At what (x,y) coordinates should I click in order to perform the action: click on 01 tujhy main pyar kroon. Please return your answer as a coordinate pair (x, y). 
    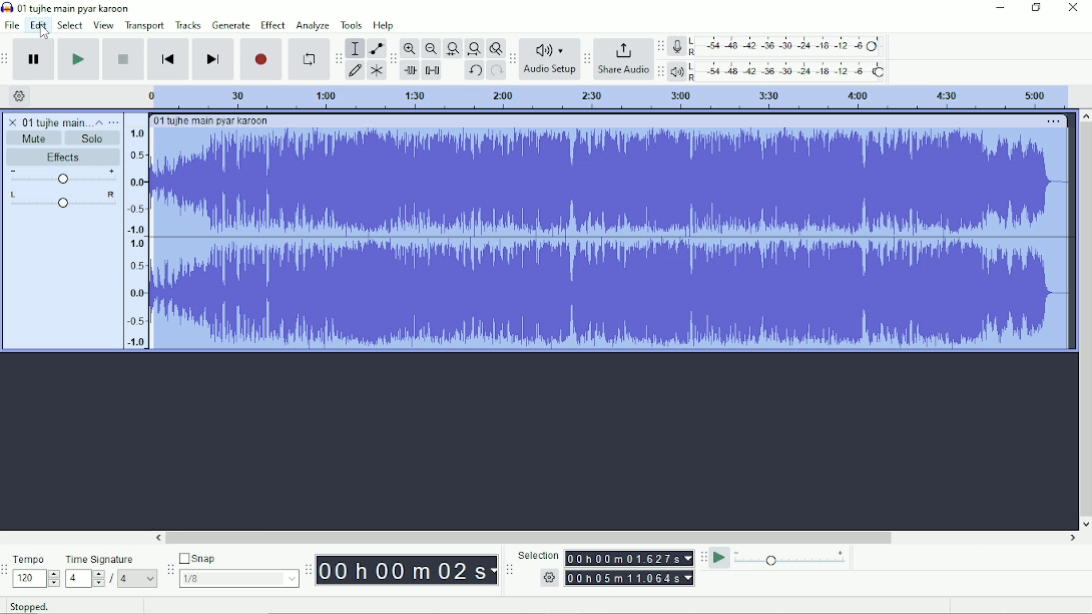
    Looking at the image, I should click on (211, 121).